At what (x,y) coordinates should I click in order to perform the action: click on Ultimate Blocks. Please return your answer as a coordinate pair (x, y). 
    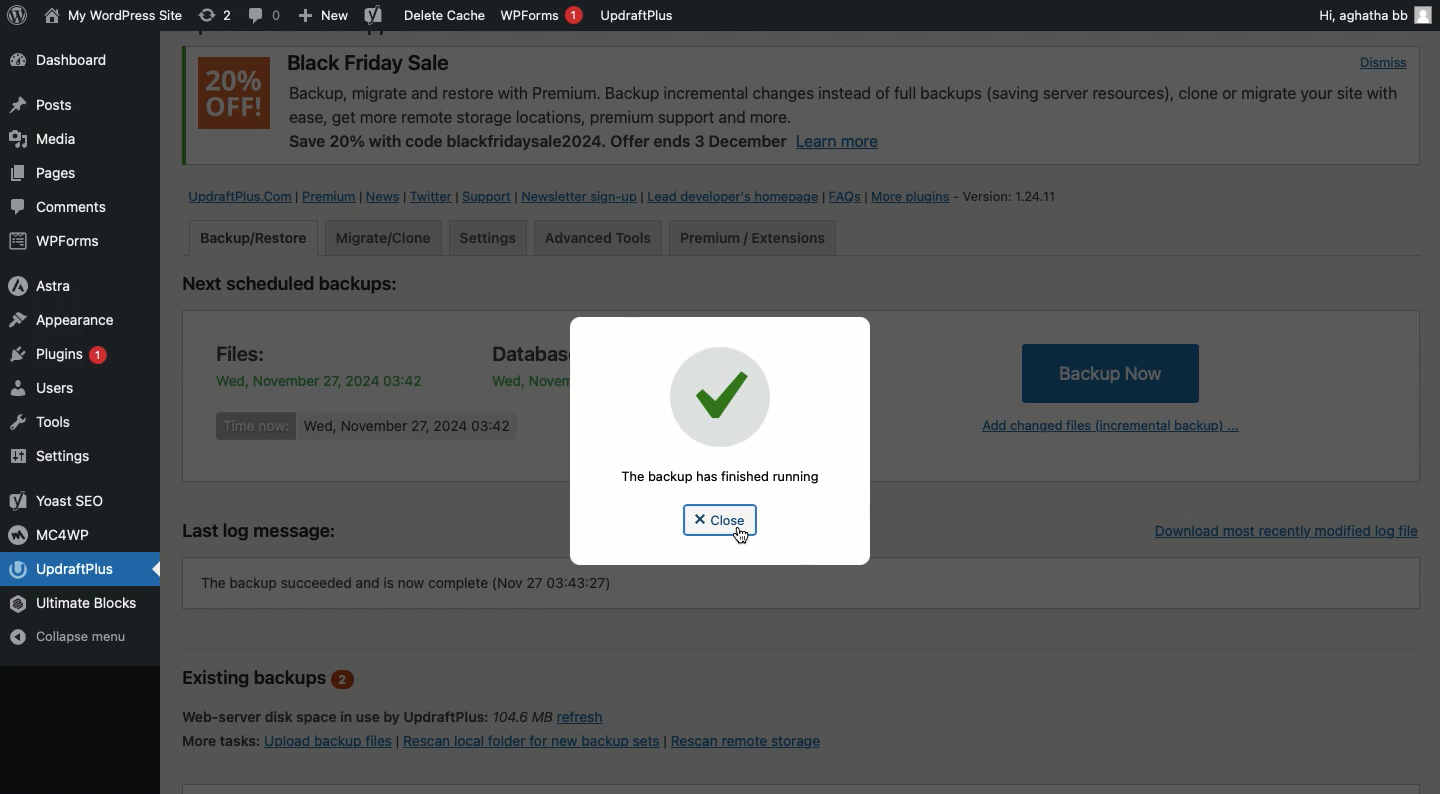
    Looking at the image, I should click on (78, 604).